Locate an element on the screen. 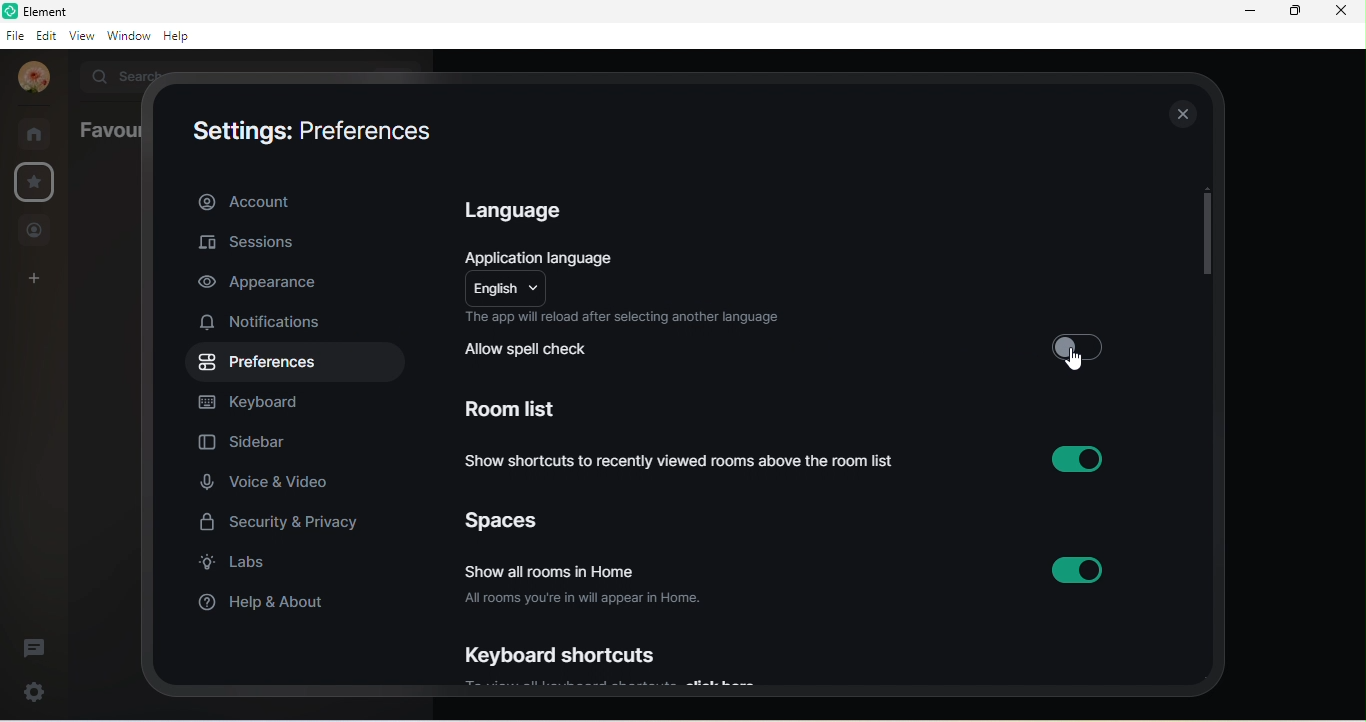 This screenshot has width=1366, height=722. close is located at coordinates (1343, 12).